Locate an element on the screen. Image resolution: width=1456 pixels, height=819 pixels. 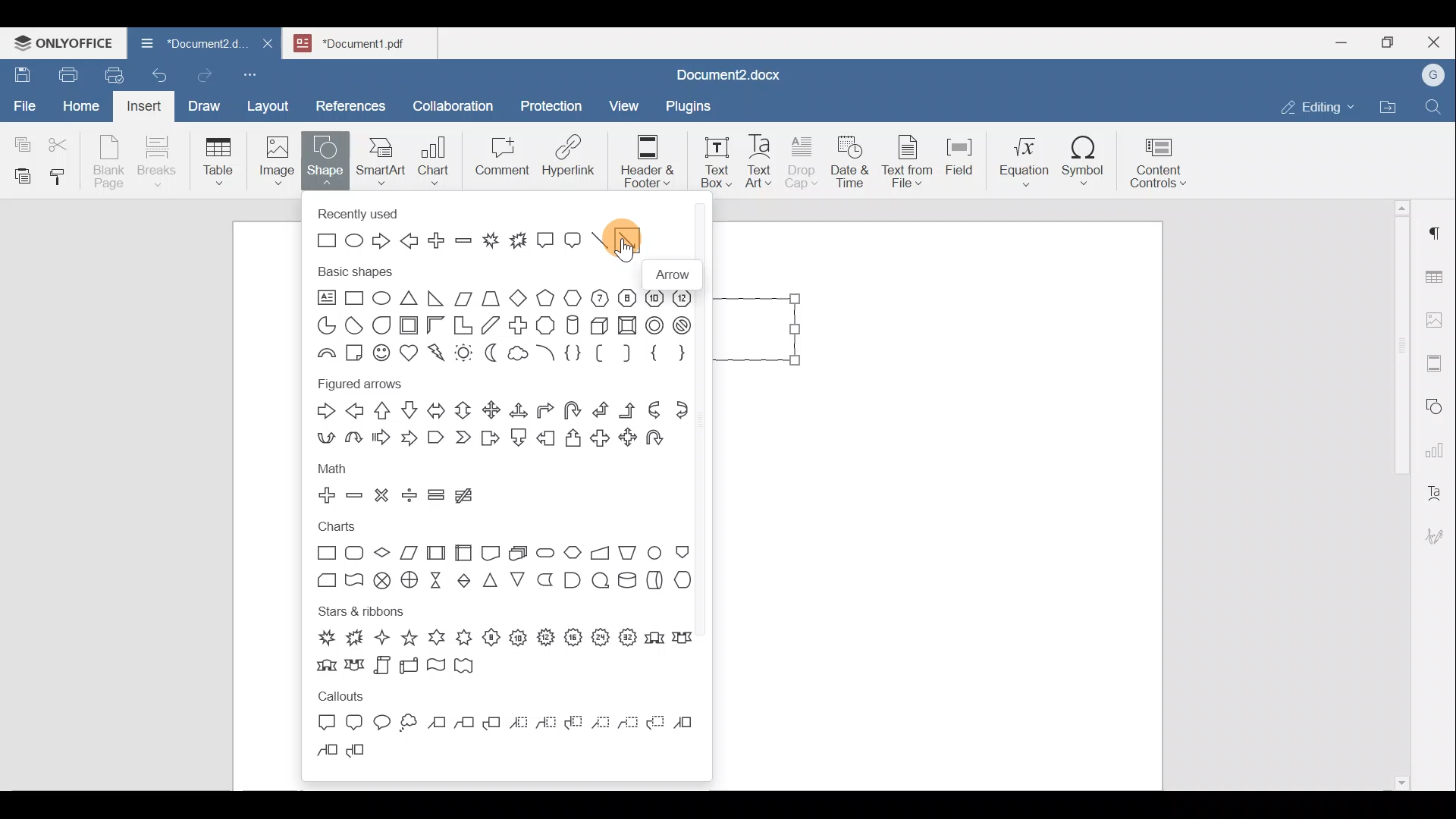
Find is located at coordinates (1433, 108).